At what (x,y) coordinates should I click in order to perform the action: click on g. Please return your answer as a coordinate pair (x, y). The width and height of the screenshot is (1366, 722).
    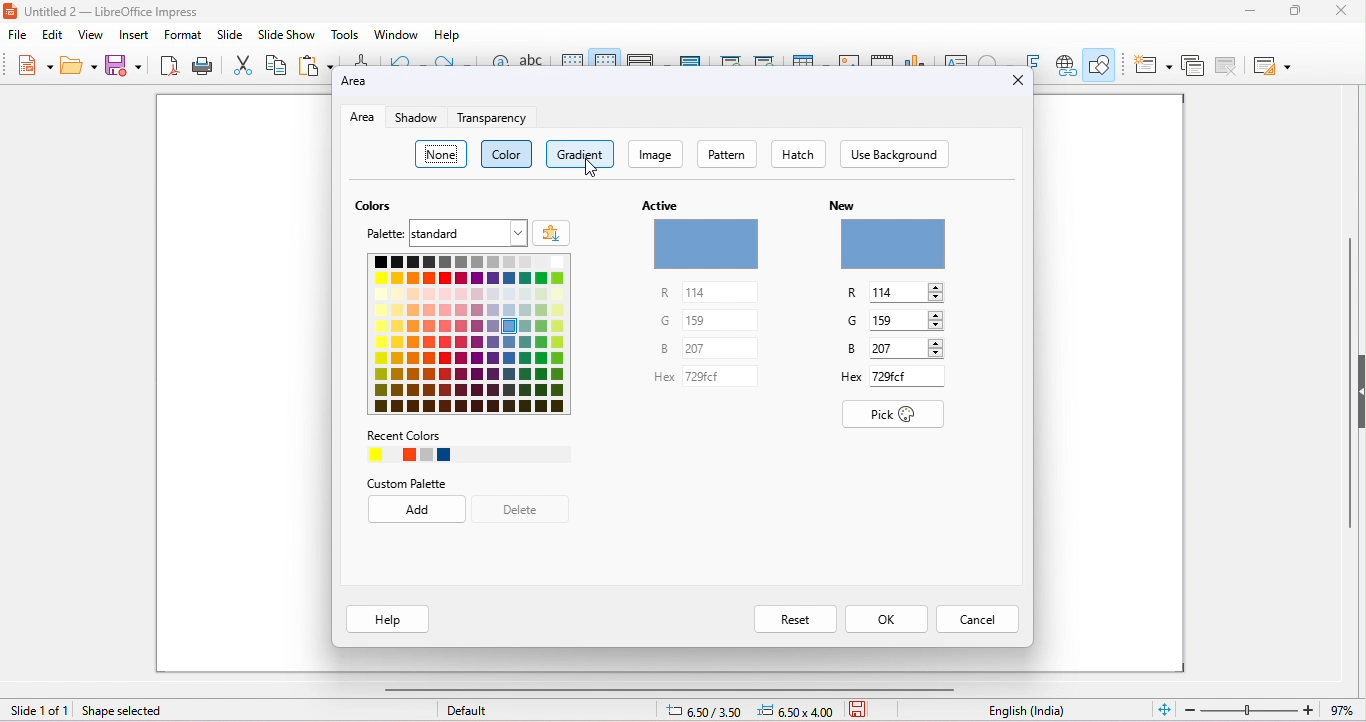
    Looking at the image, I should click on (852, 321).